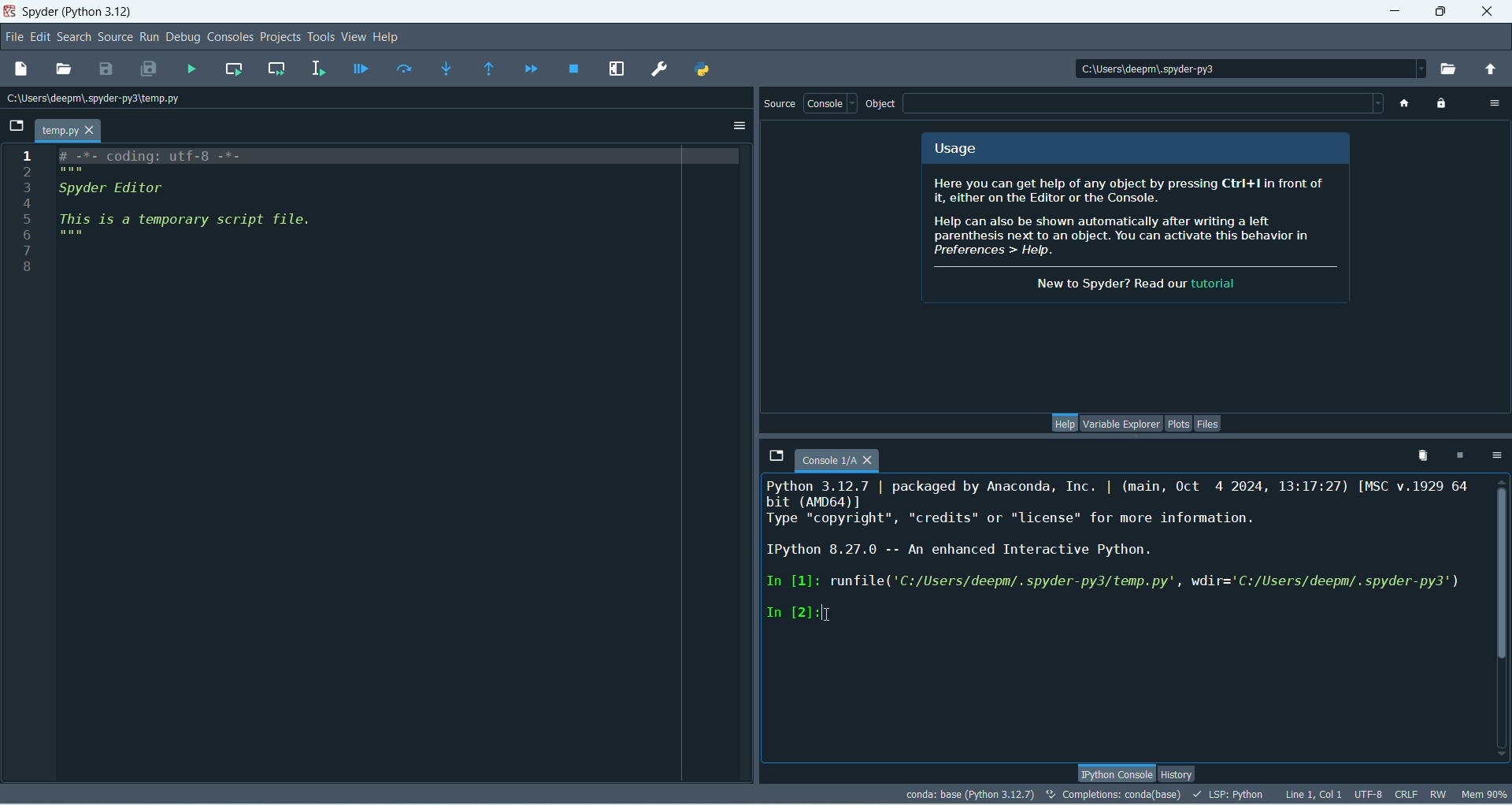 The image size is (1512, 805). Describe the element at coordinates (956, 151) in the screenshot. I see `usage` at that location.